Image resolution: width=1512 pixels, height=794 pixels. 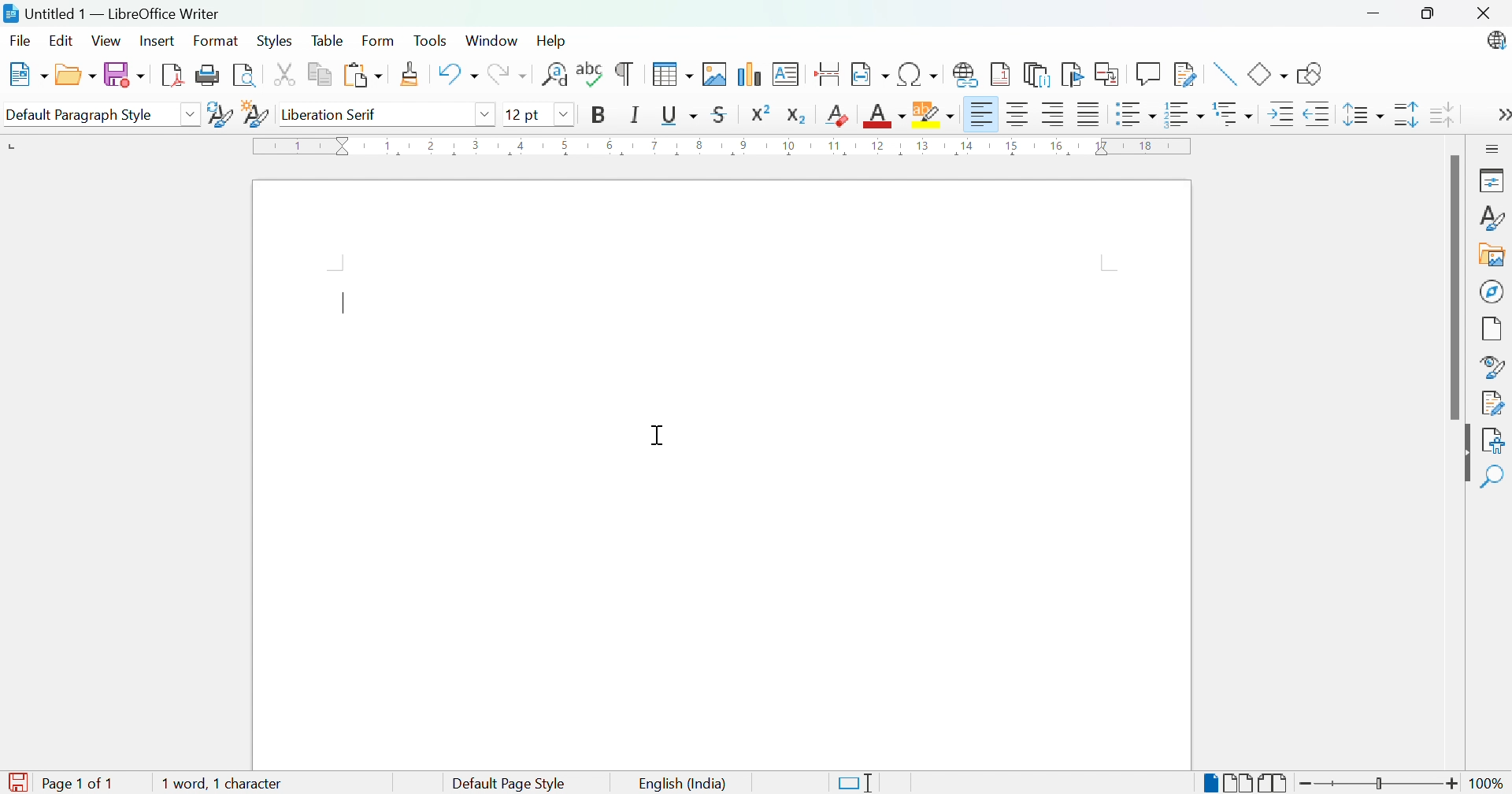 What do you see at coordinates (1490, 785) in the screenshot?
I see `100%` at bounding box center [1490, 785].